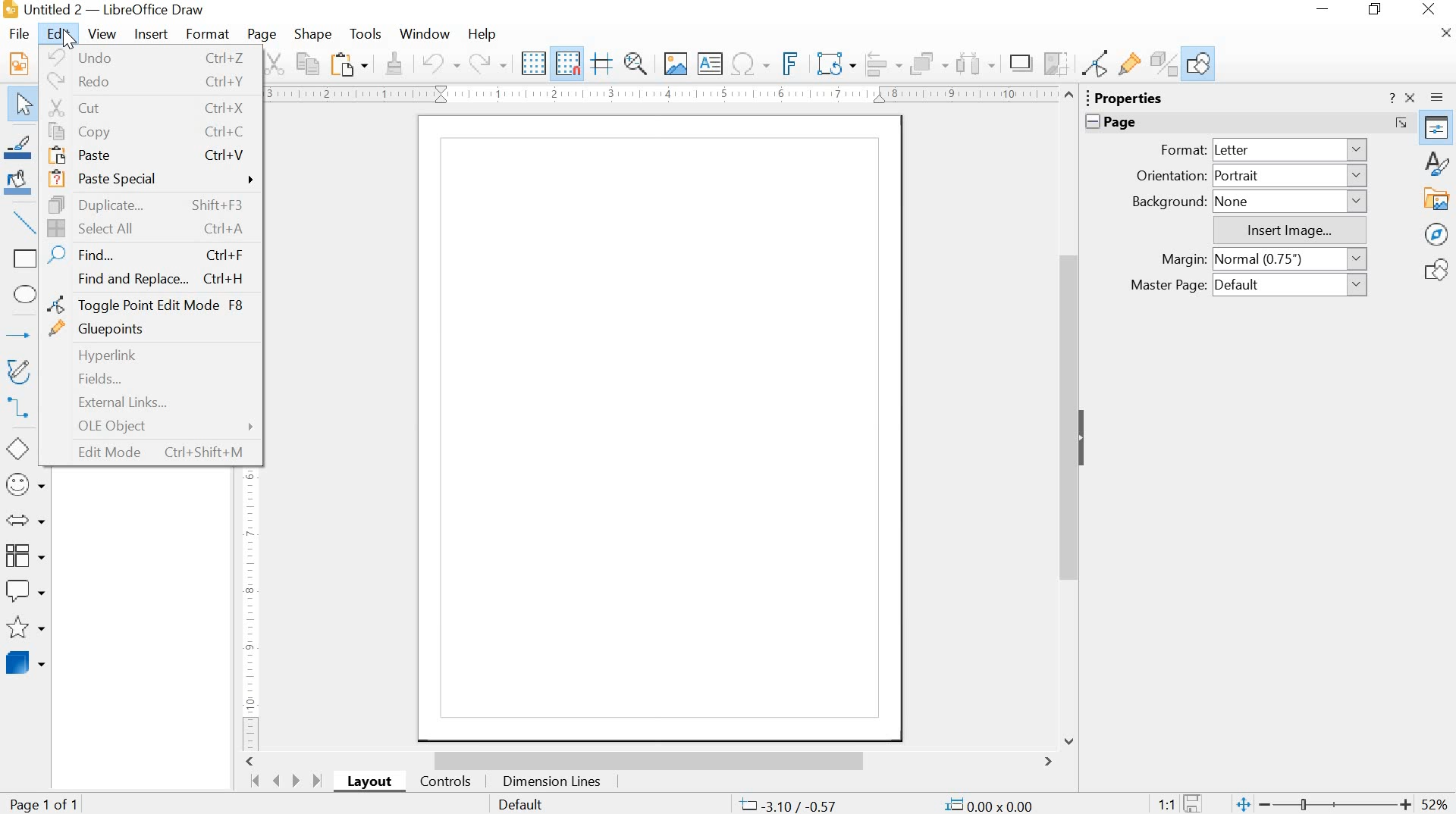 The image size is (1456, 814). I want to click on Edit, so click(58, 33).